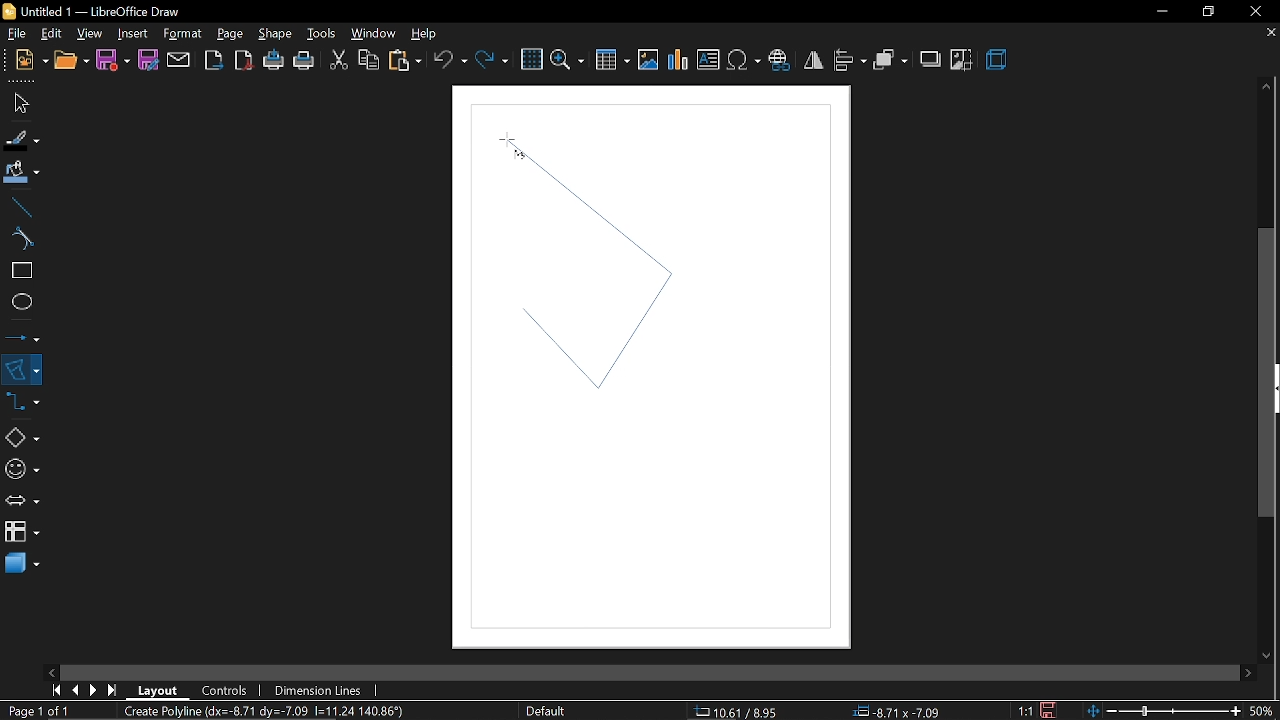  What do you see at coordinates (546, 711) in the screenshot?
I see `page style` at bounding box center [546, 711].